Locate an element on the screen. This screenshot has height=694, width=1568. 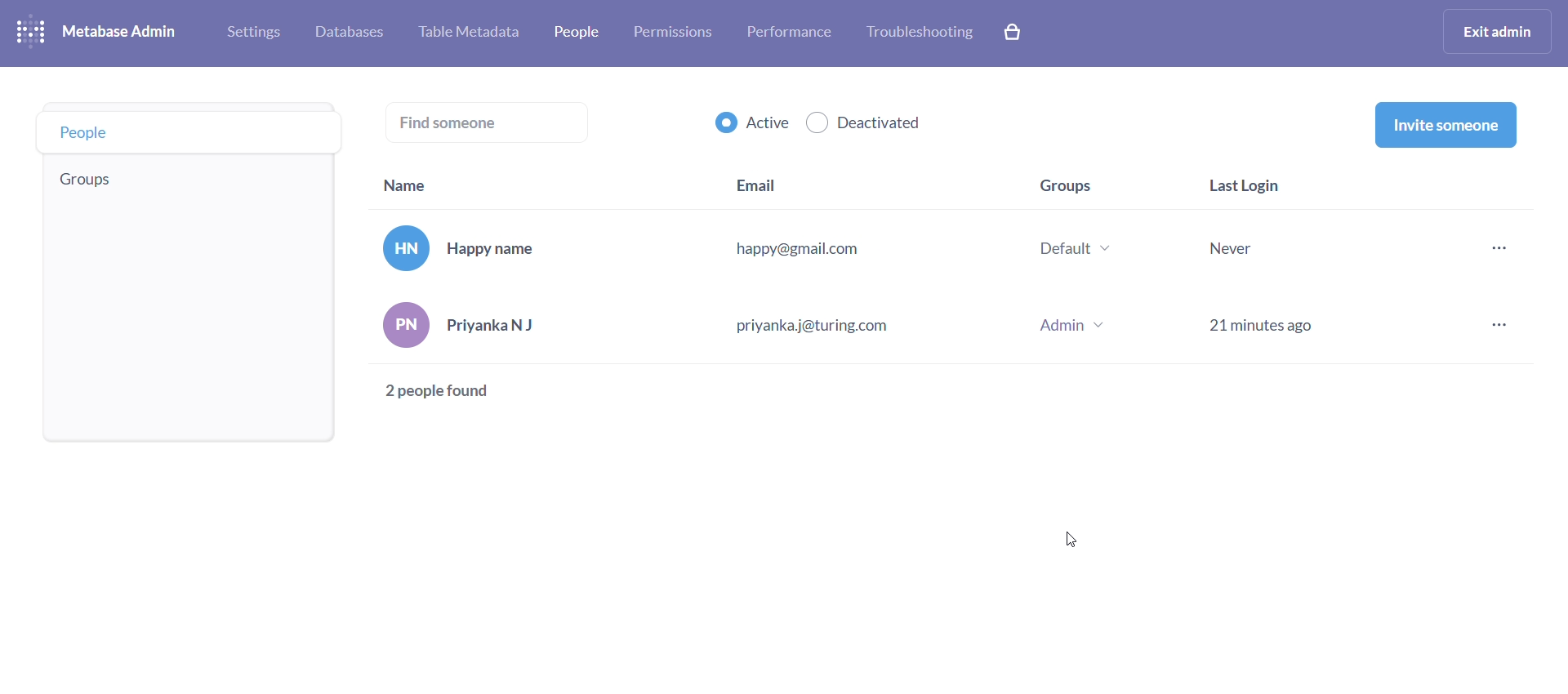
invite someone is located at coordinates (1445, 124).